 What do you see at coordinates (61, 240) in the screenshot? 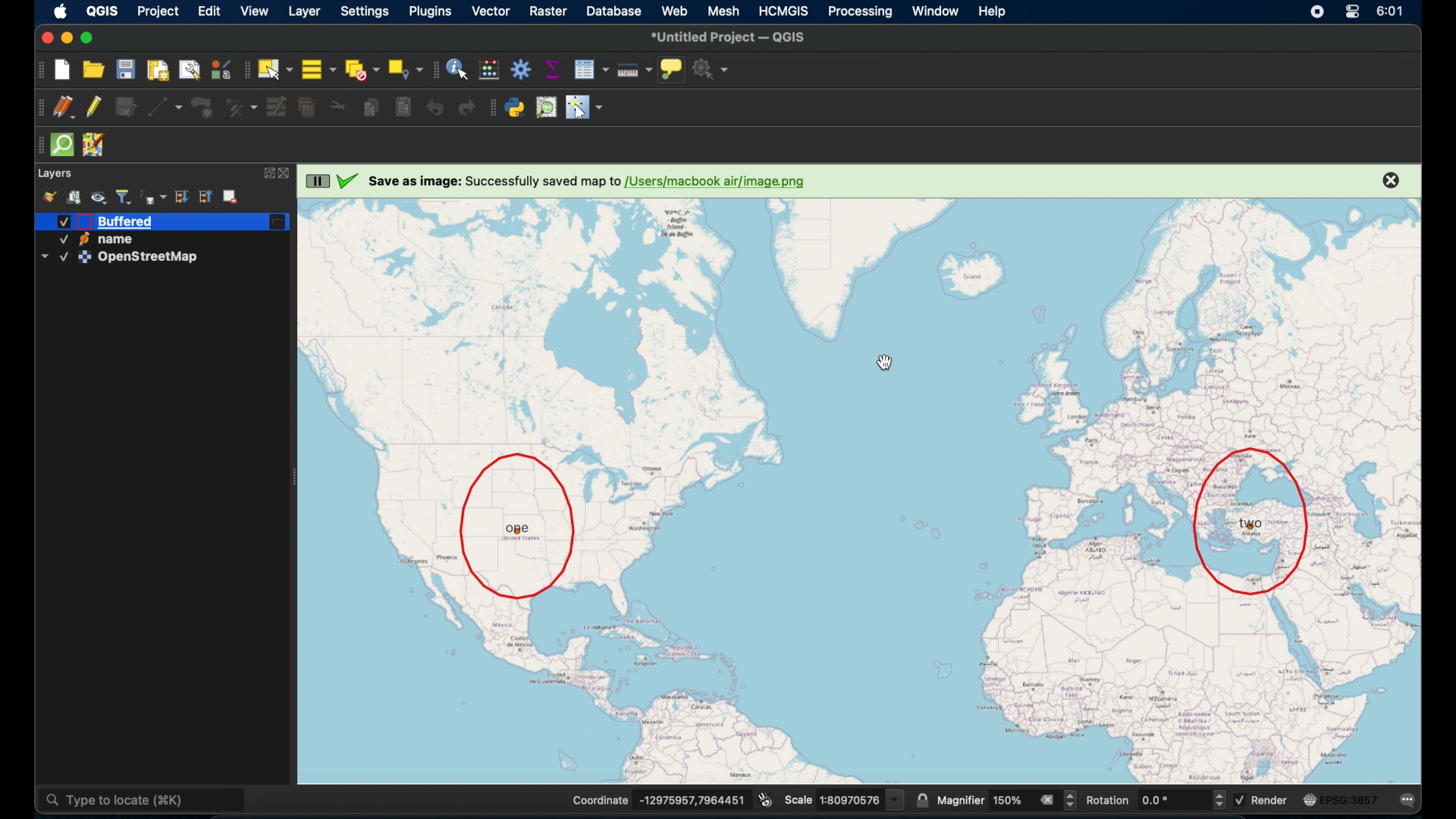
I see `Checked checkbox` at bounding box center [61, 240].